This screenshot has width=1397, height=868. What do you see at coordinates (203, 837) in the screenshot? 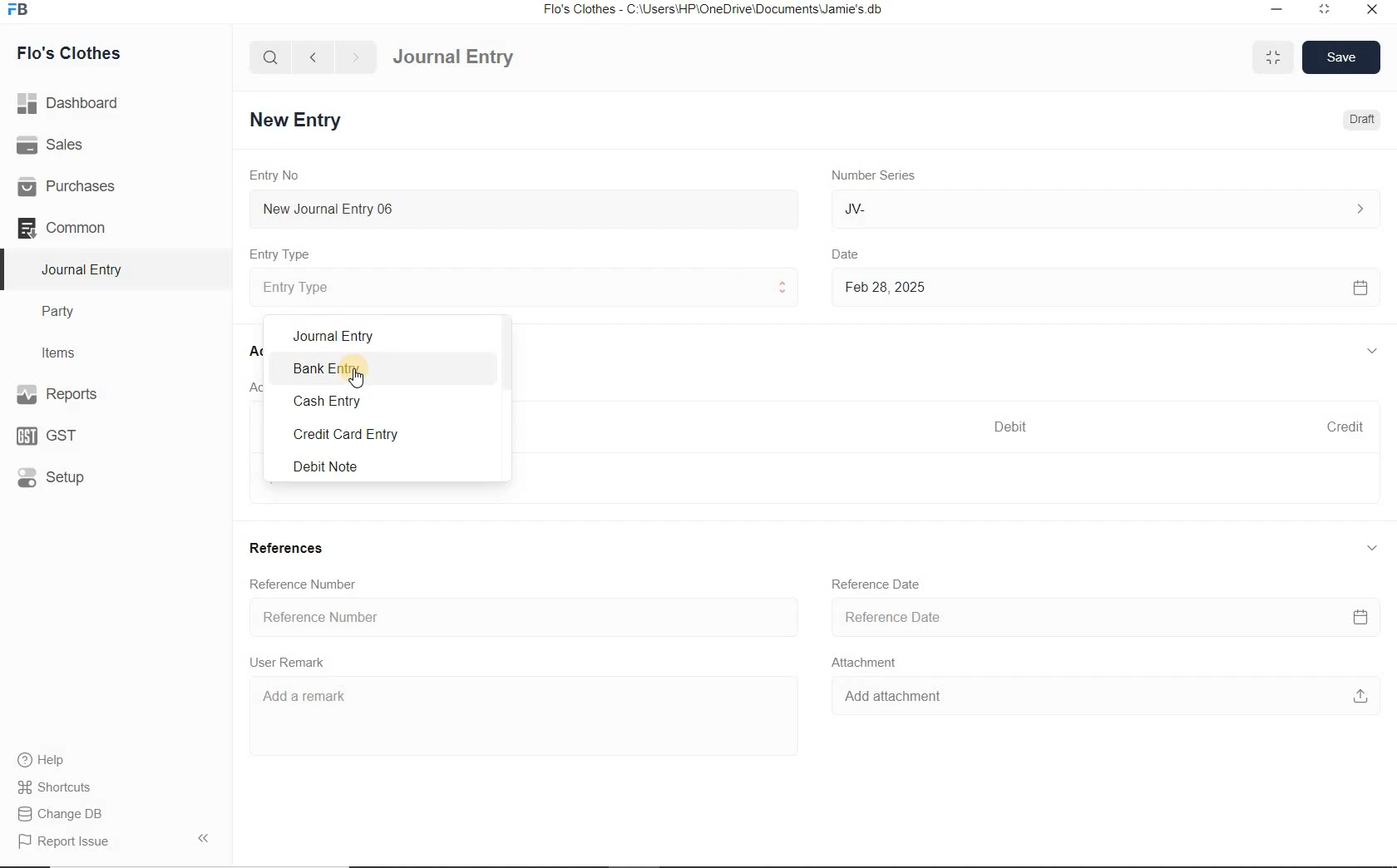
I see `Collpase` at bounding box center [203, 837].